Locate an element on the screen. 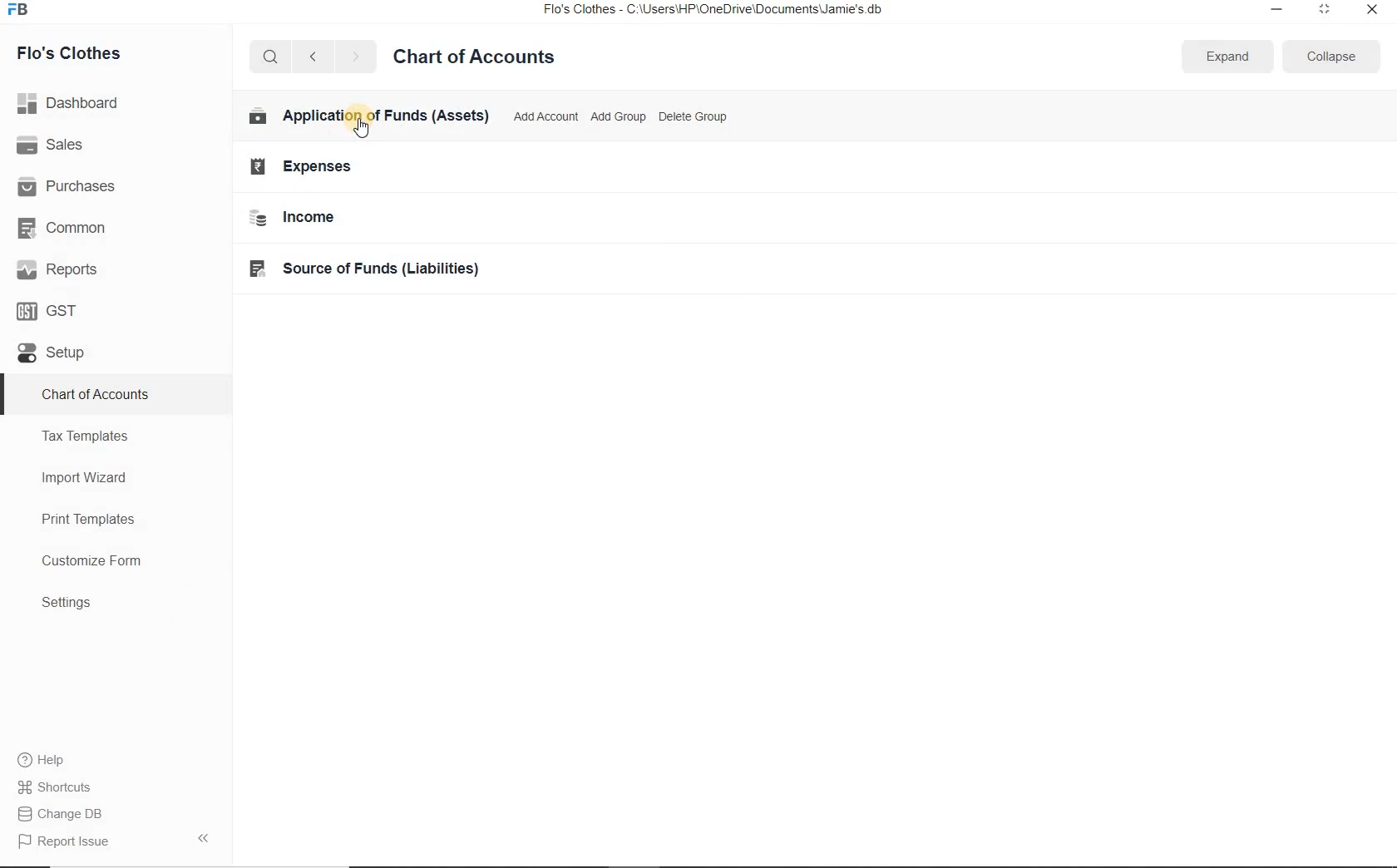  back is located at coordinates (313, 56).